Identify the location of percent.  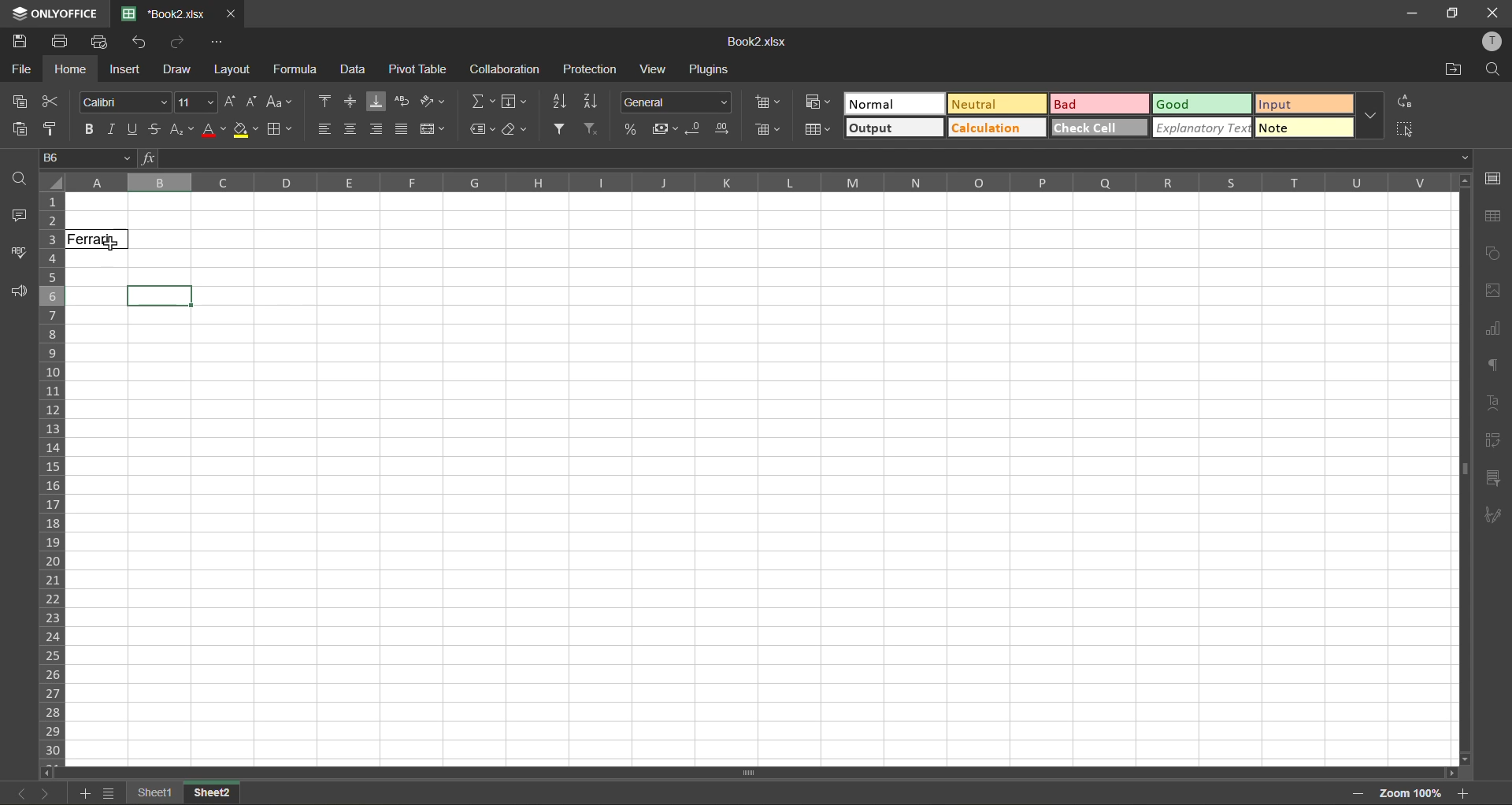
(631, 128).